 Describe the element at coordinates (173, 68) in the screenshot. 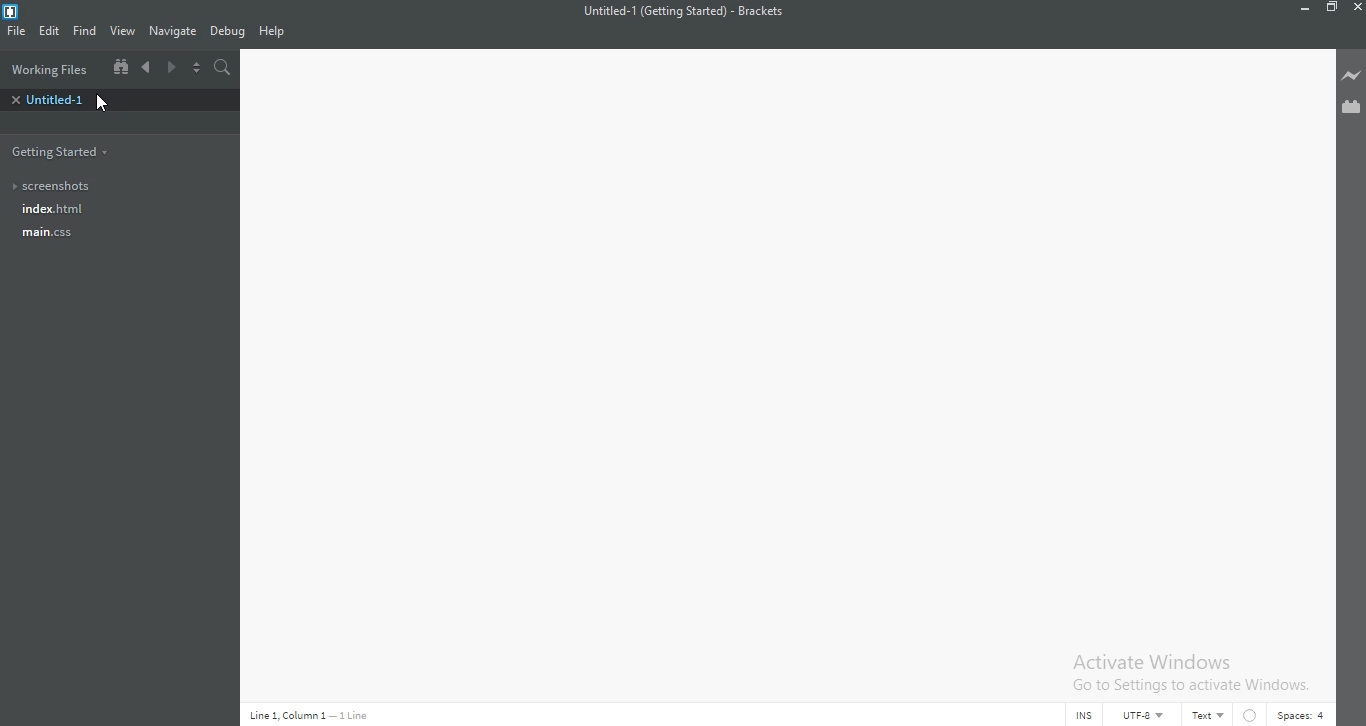

I see `Next ` at that location.